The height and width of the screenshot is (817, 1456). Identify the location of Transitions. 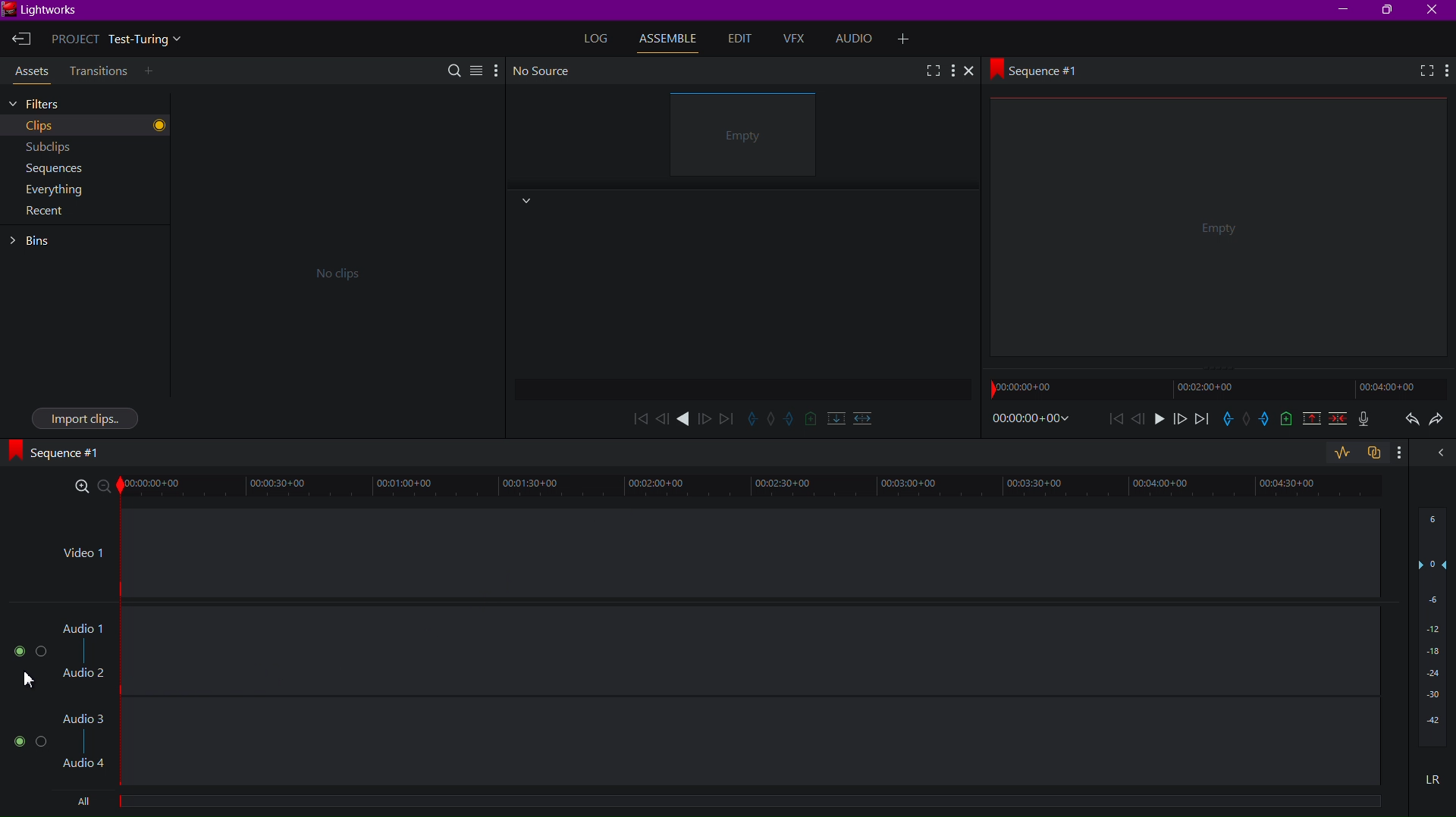
(97, 71).